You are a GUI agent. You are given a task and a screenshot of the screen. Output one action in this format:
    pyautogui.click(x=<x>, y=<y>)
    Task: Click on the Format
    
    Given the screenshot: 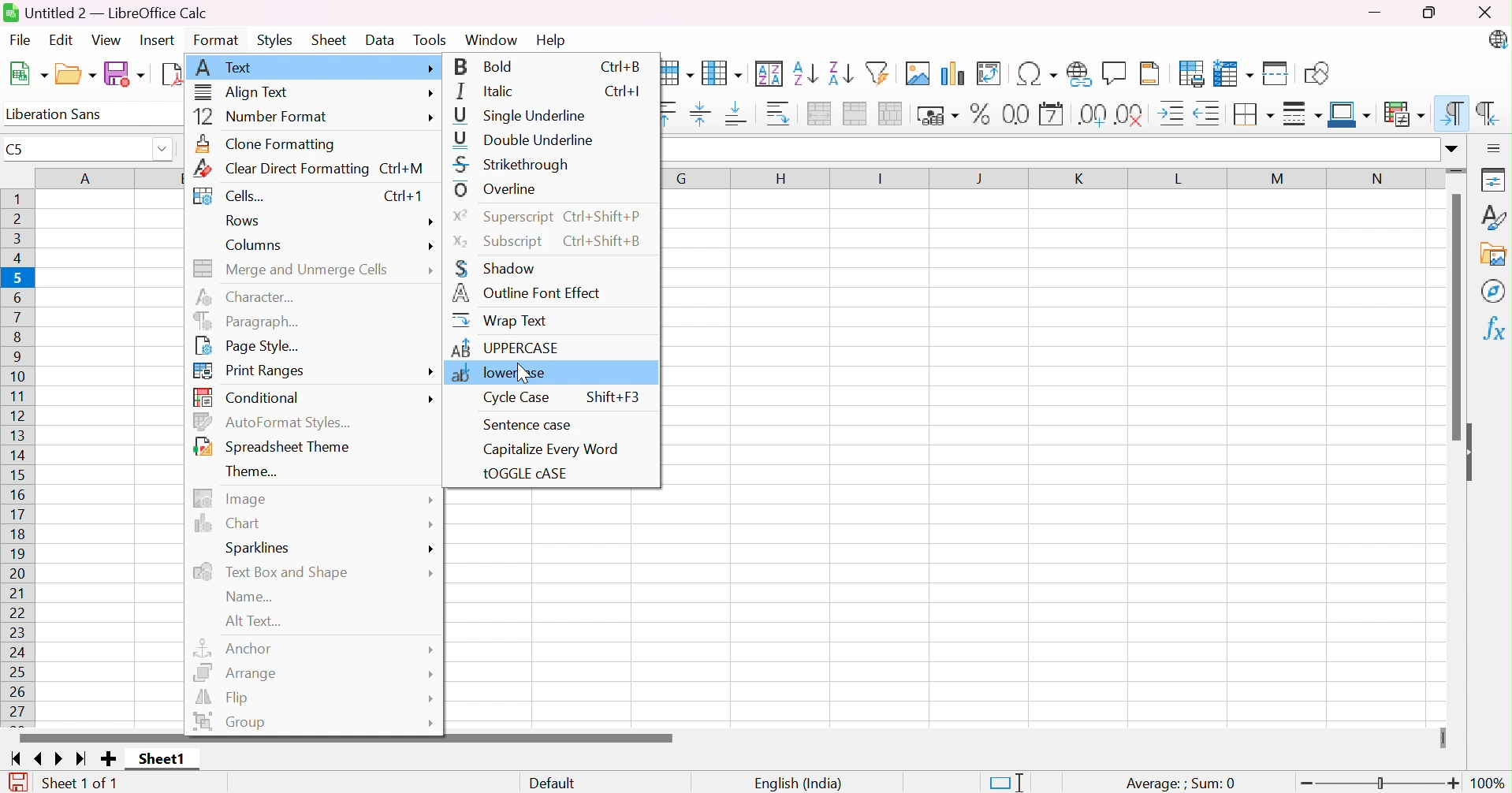 What is the action you would take?
    pyautogui.click(x=215, y=40)
    